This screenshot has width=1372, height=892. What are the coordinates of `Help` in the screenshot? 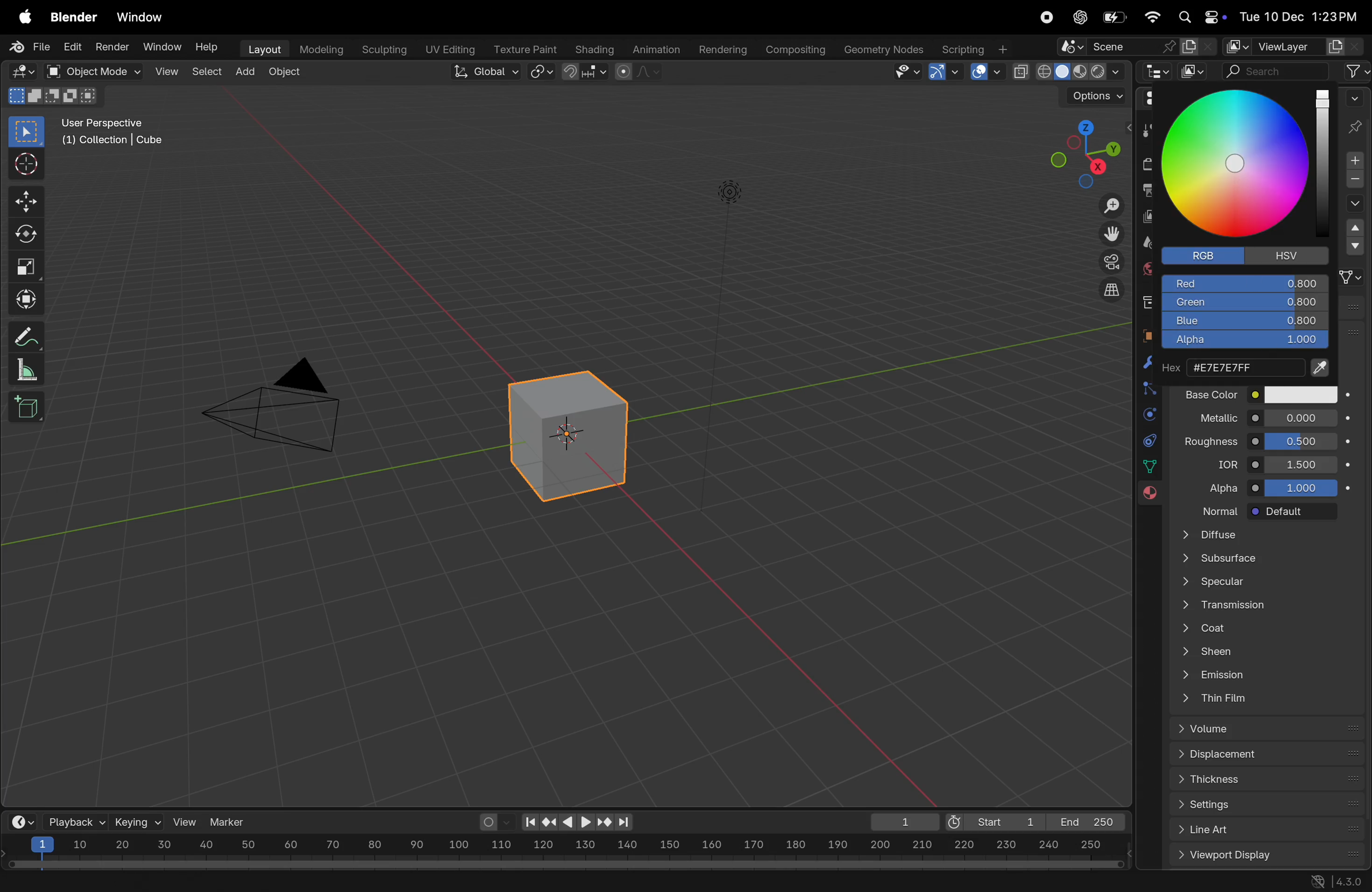 It's located at (209, 48).